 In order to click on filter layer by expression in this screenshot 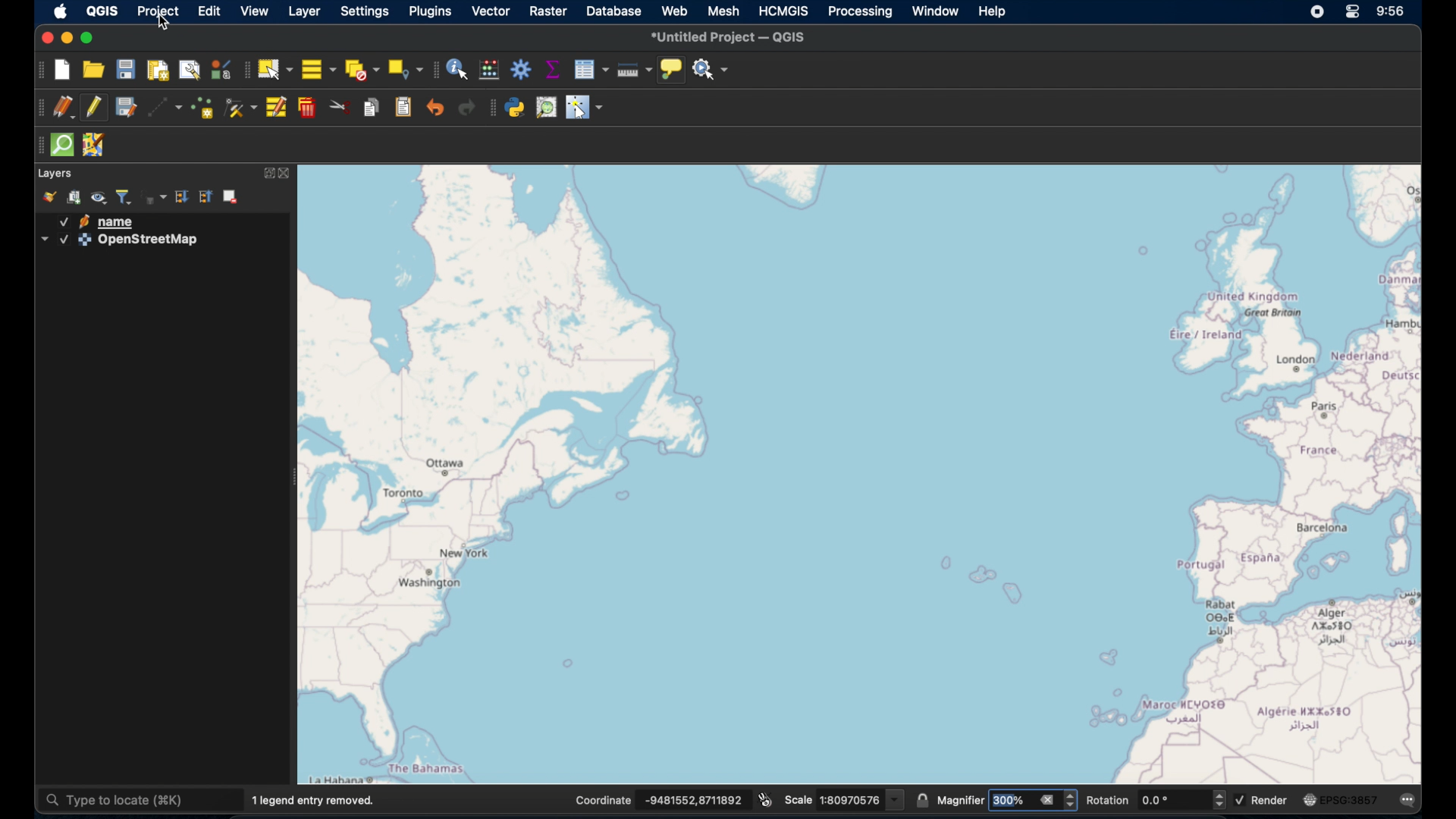, I will do `click(156, 196)`.